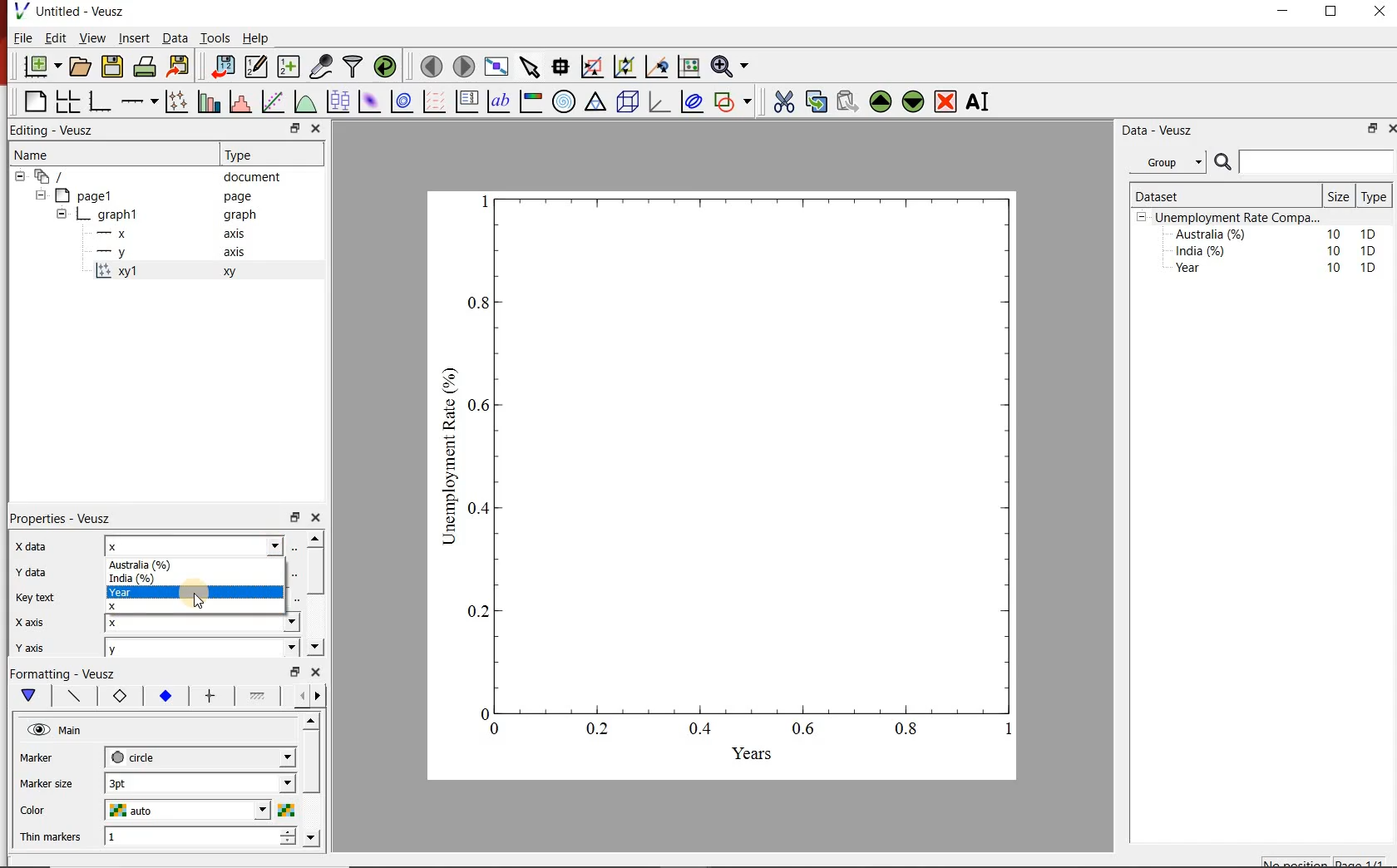 The image size is (1397, 868). What do you see at coordinates (386, 66) in the screenshot?
I see `reload datasets` at bounding box center [386, 66].